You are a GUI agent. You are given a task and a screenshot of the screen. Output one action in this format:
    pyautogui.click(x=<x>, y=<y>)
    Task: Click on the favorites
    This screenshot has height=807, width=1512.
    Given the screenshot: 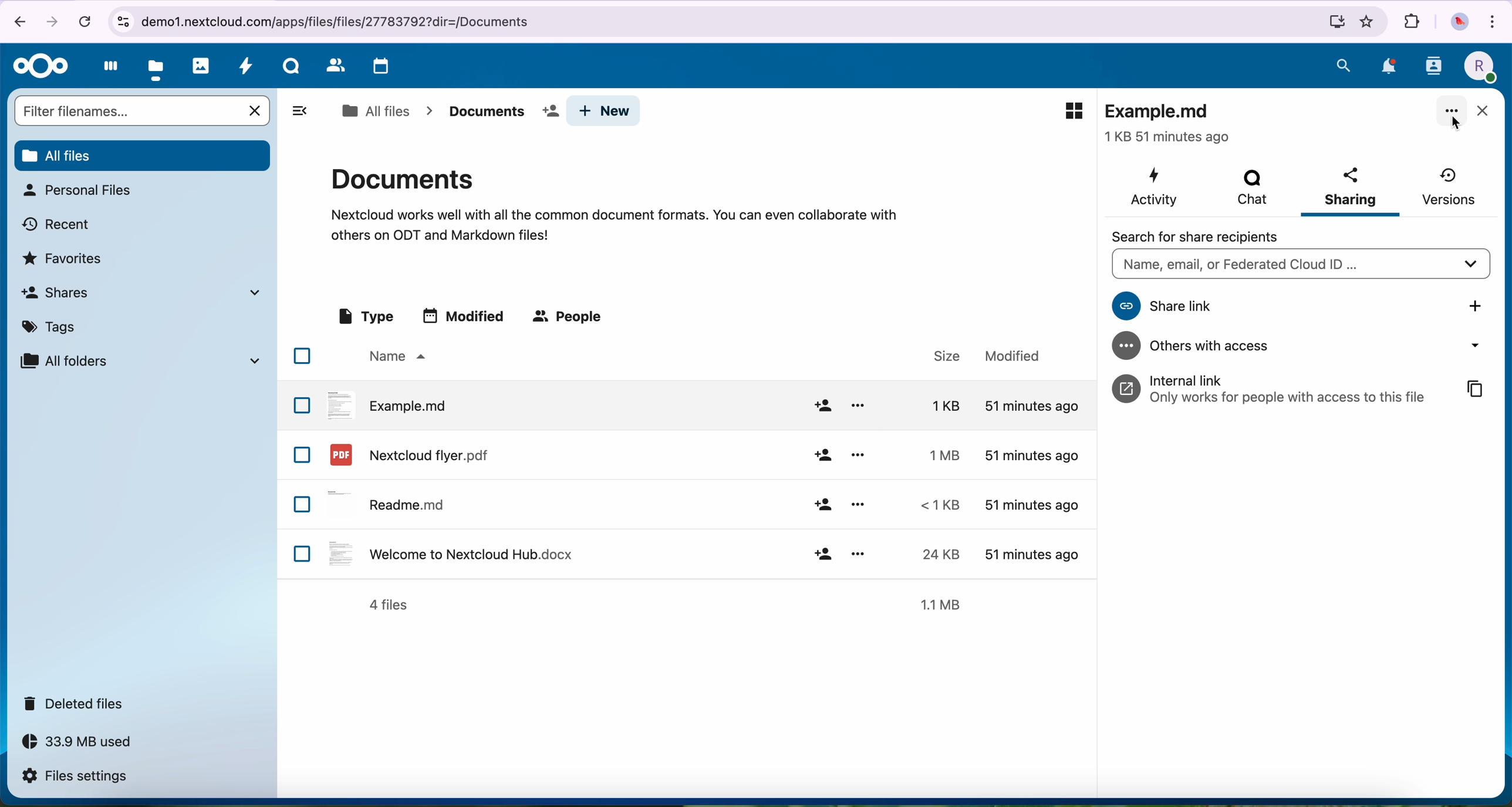 What is the action you would take?
    pyautogui.click(x=1368, y=22)
    